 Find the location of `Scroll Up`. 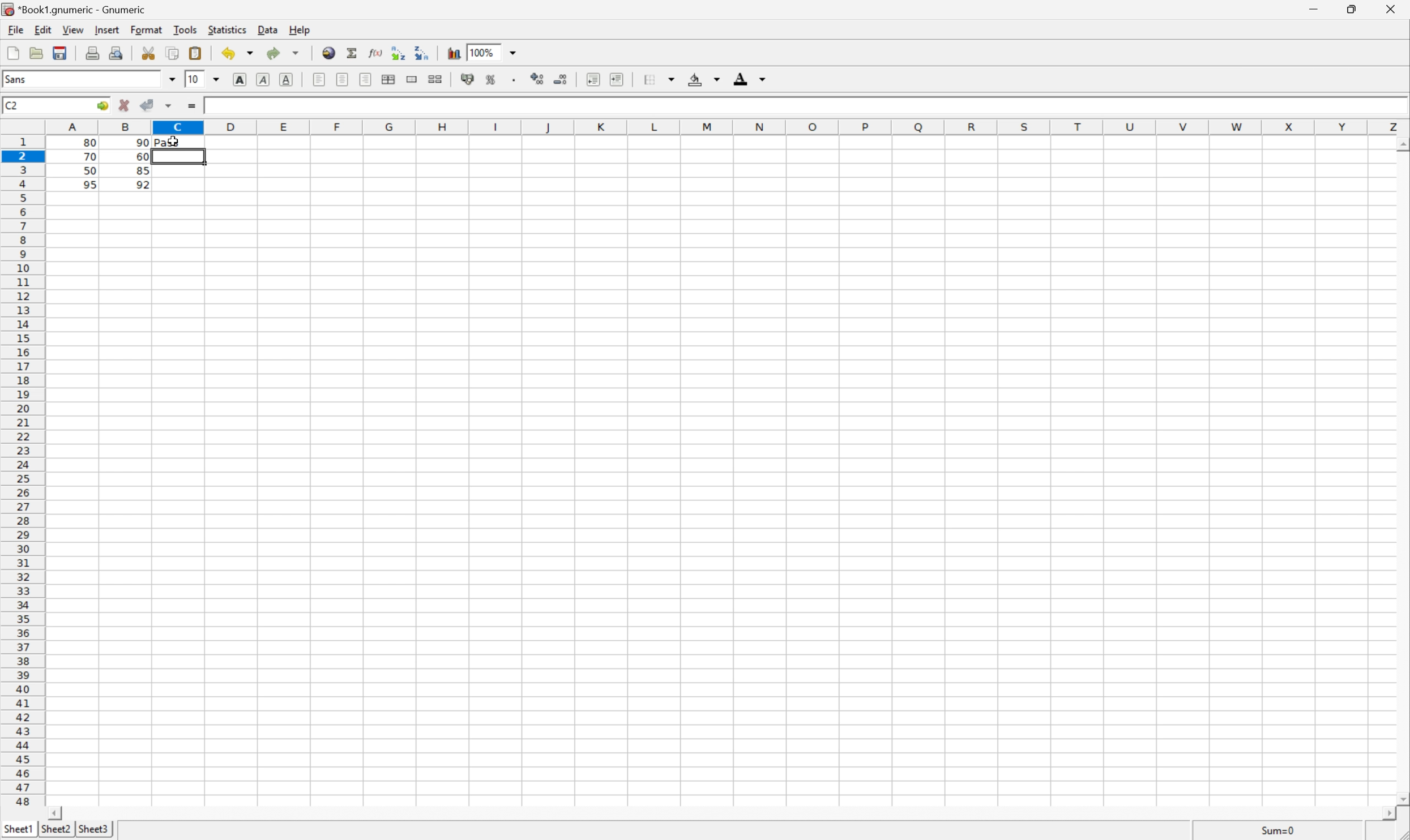

Scroll Up is located at coordinates (1401, 144).